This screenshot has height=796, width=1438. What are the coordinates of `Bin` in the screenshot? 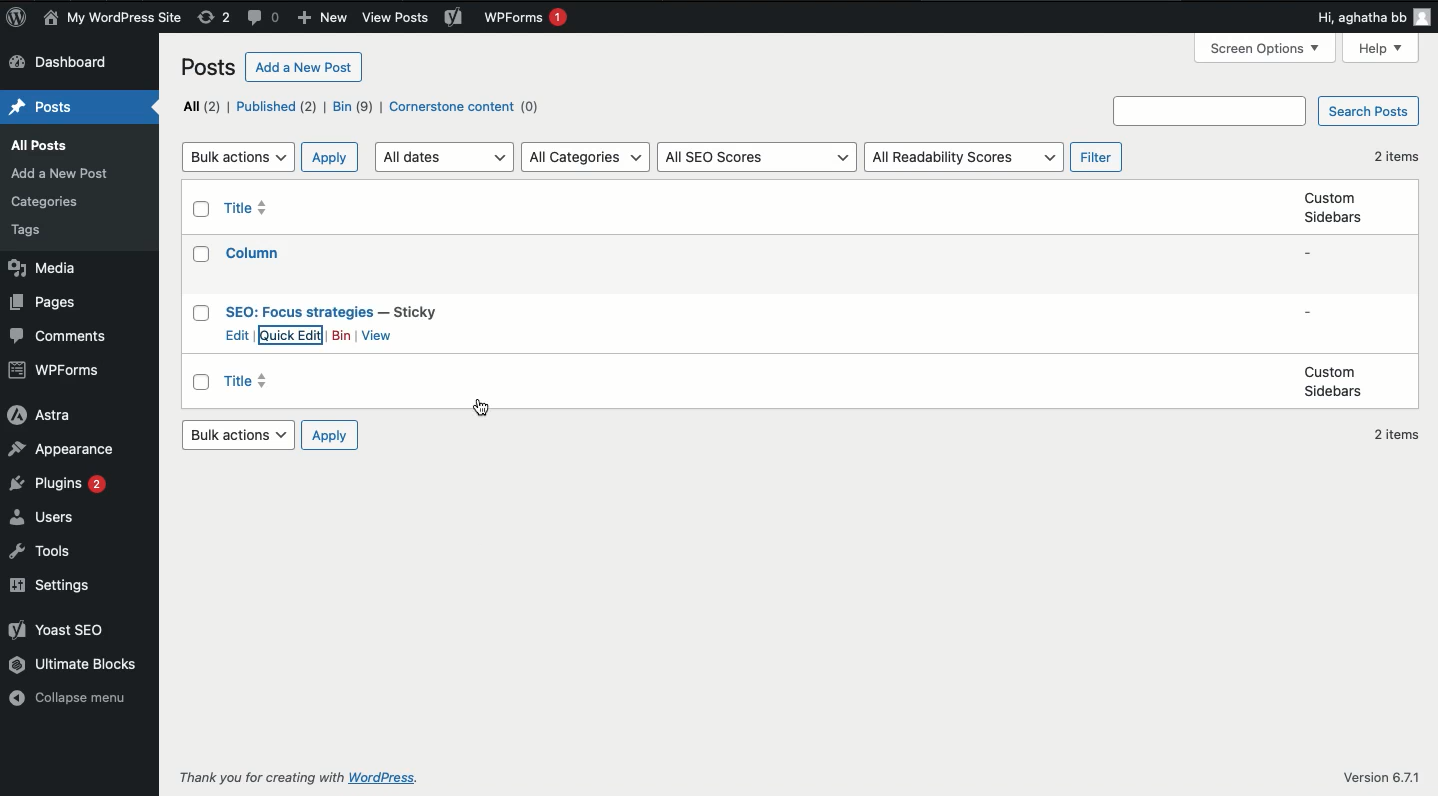 It's located at (353, 106).